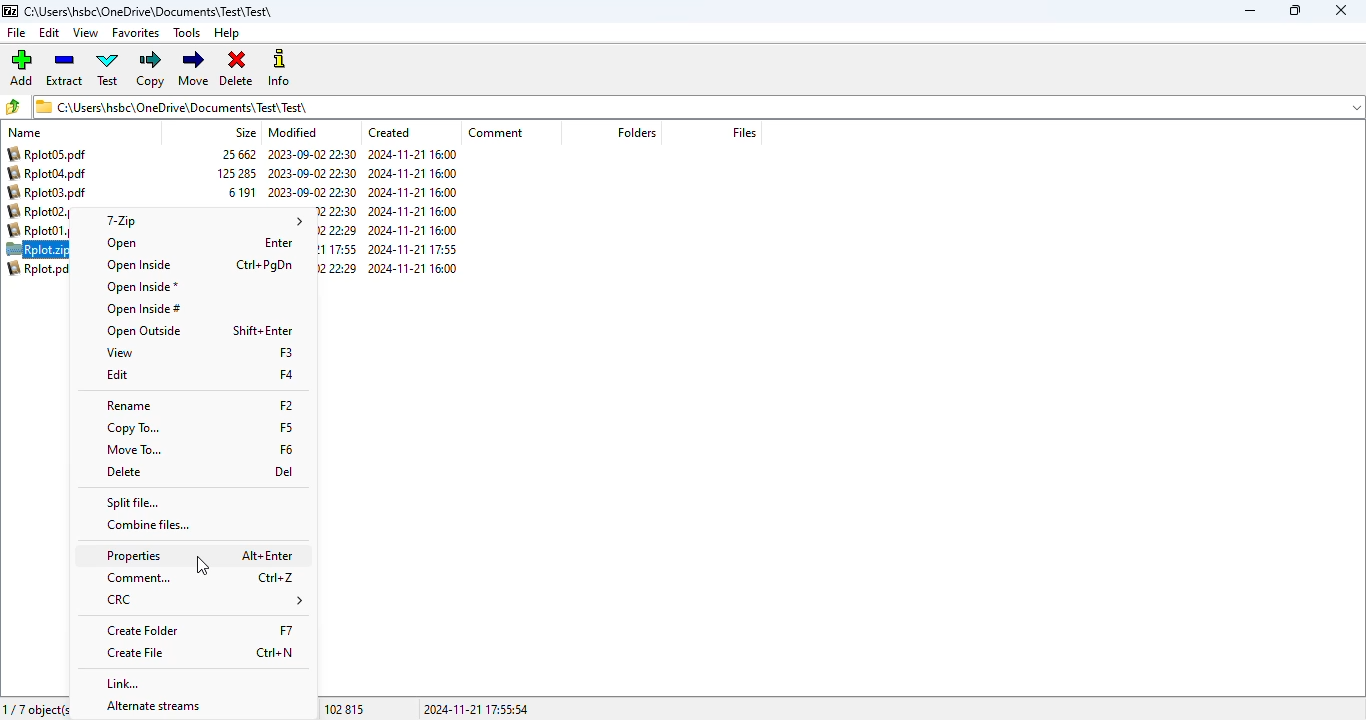 The width and height of the screenshot is (1366, 720). What do you see at coordinates (345, 710) in the screenshot?
I see `102 815` at bounding box center [345, 710].